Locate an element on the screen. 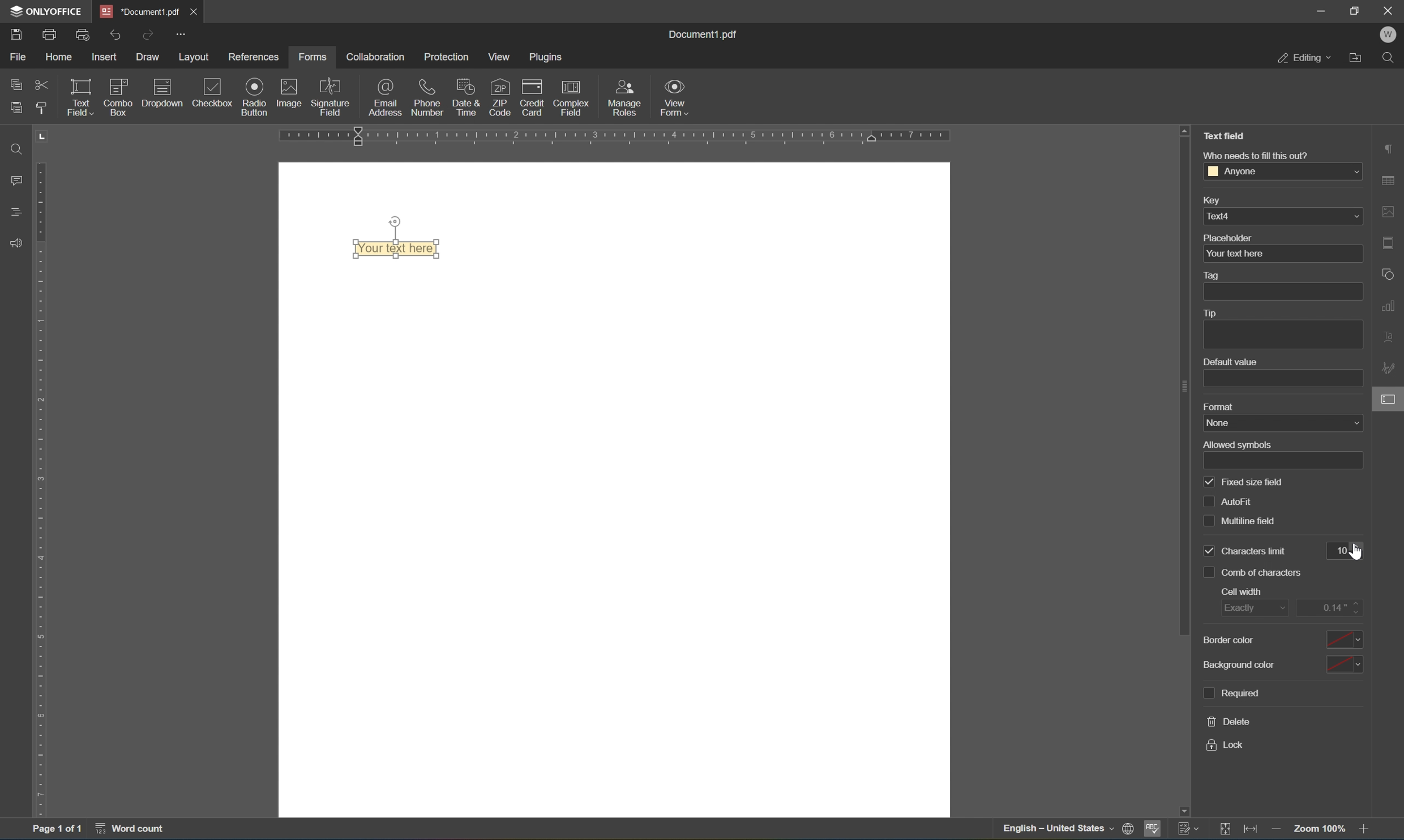 Image resolution: width=1404 pixels, height=840 pixels. ruler is located at coordinates (620, 134).